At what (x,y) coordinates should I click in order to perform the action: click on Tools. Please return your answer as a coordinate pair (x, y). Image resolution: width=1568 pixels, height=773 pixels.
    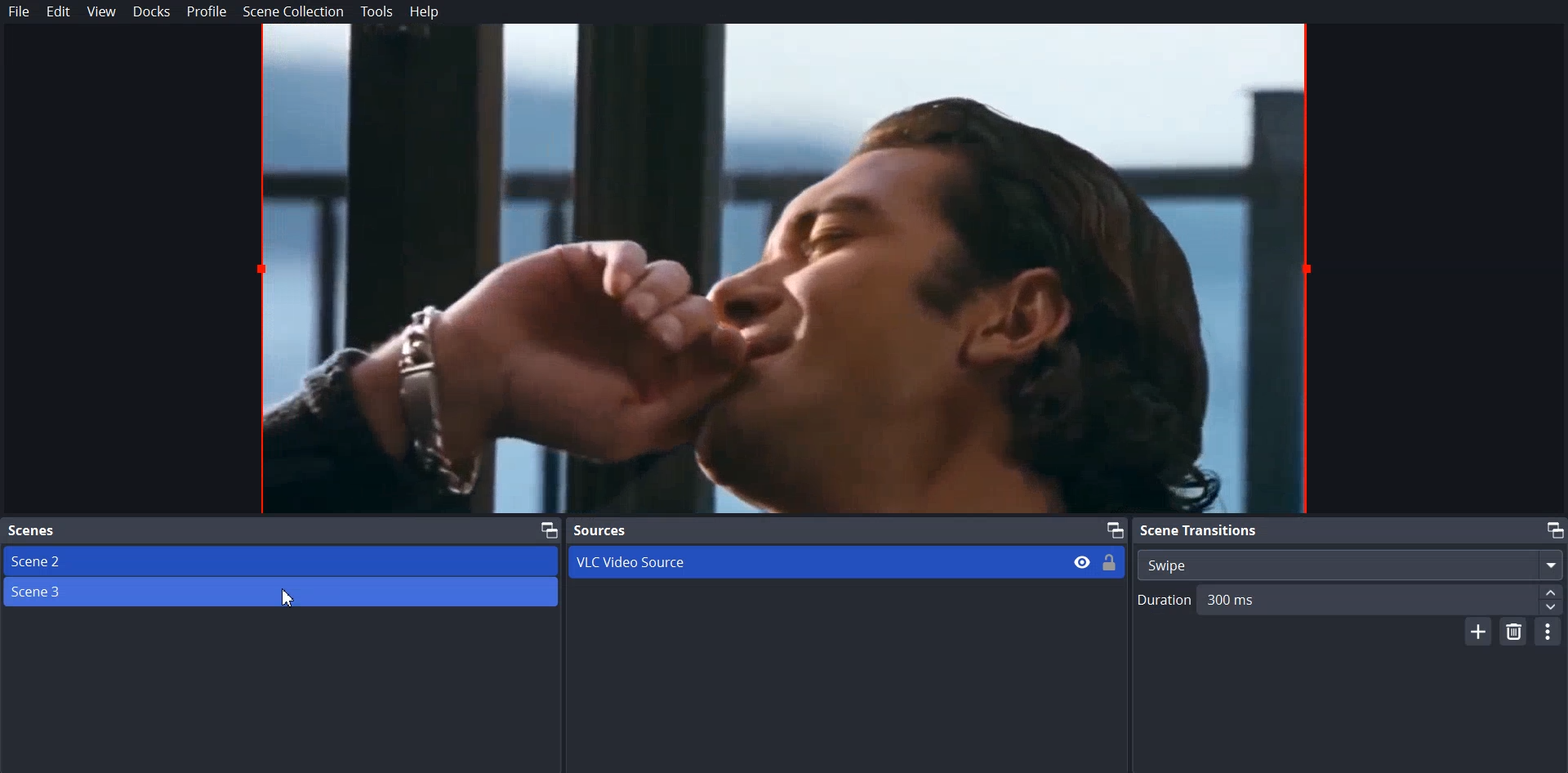
    Looking at the image, I should click on (376, 11).